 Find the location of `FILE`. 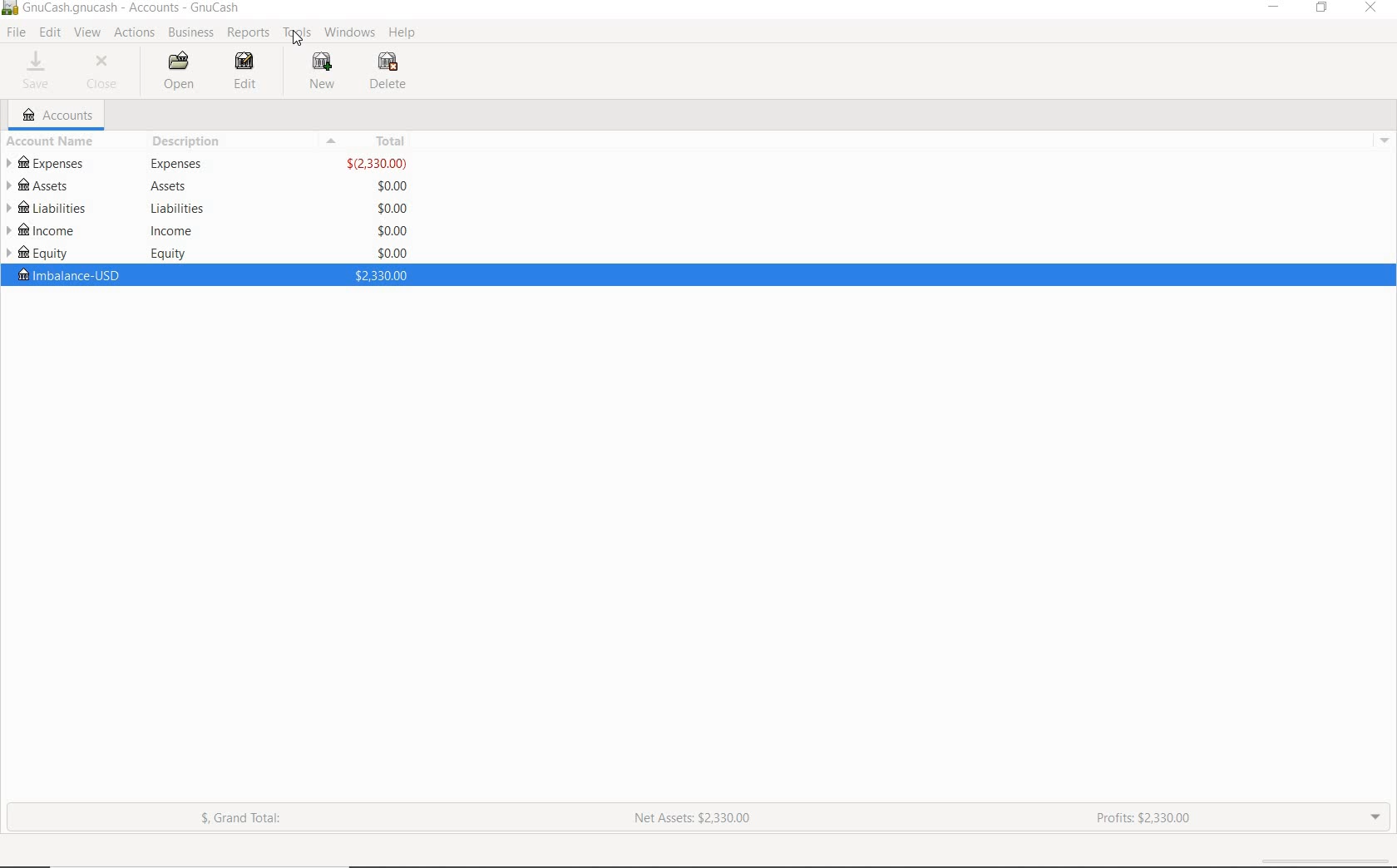

FILE is located at coordinates (14, 34).